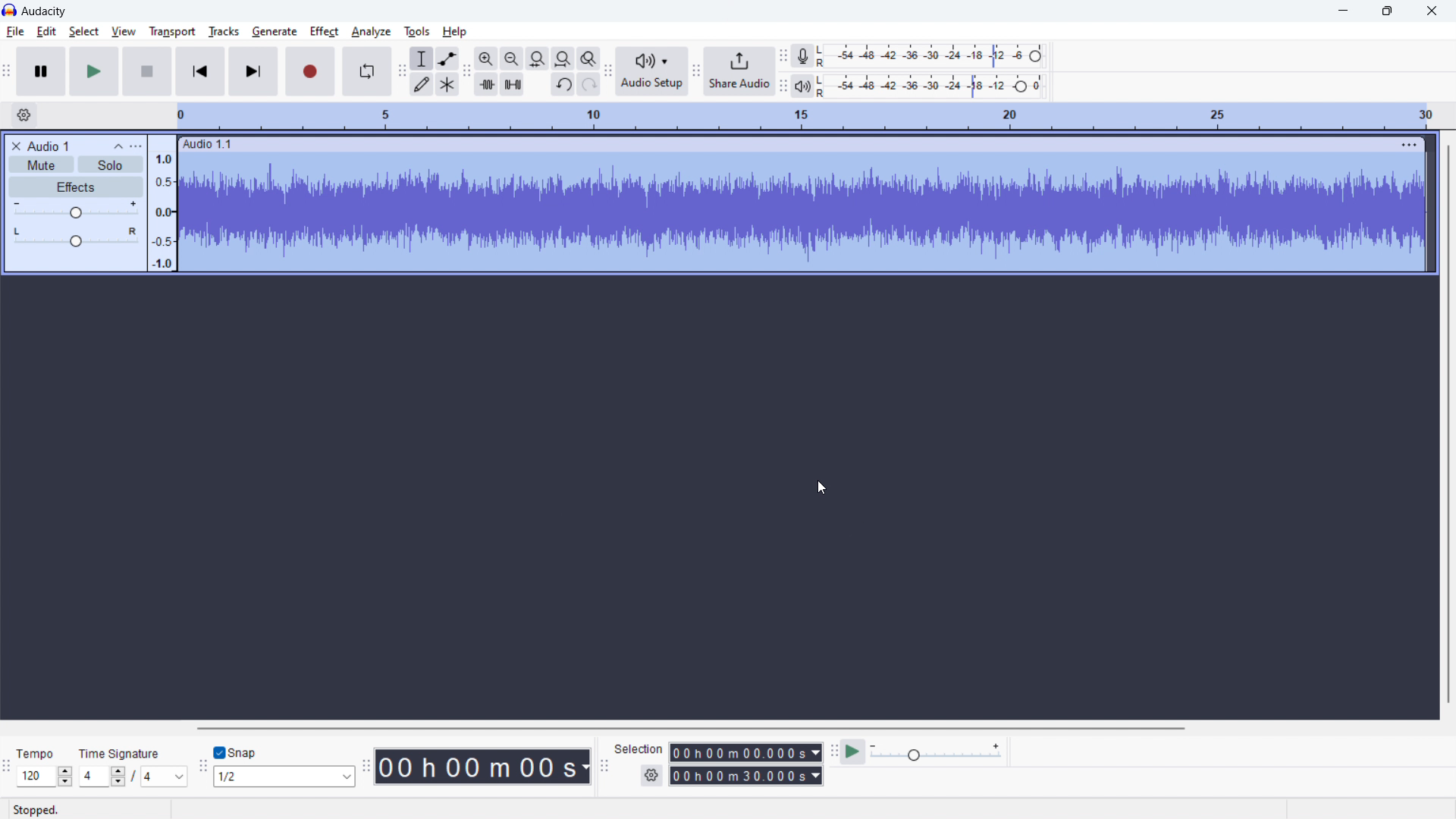  Describe the element at coordinates (309, 72) in the screenshot. I see `record` at that location.